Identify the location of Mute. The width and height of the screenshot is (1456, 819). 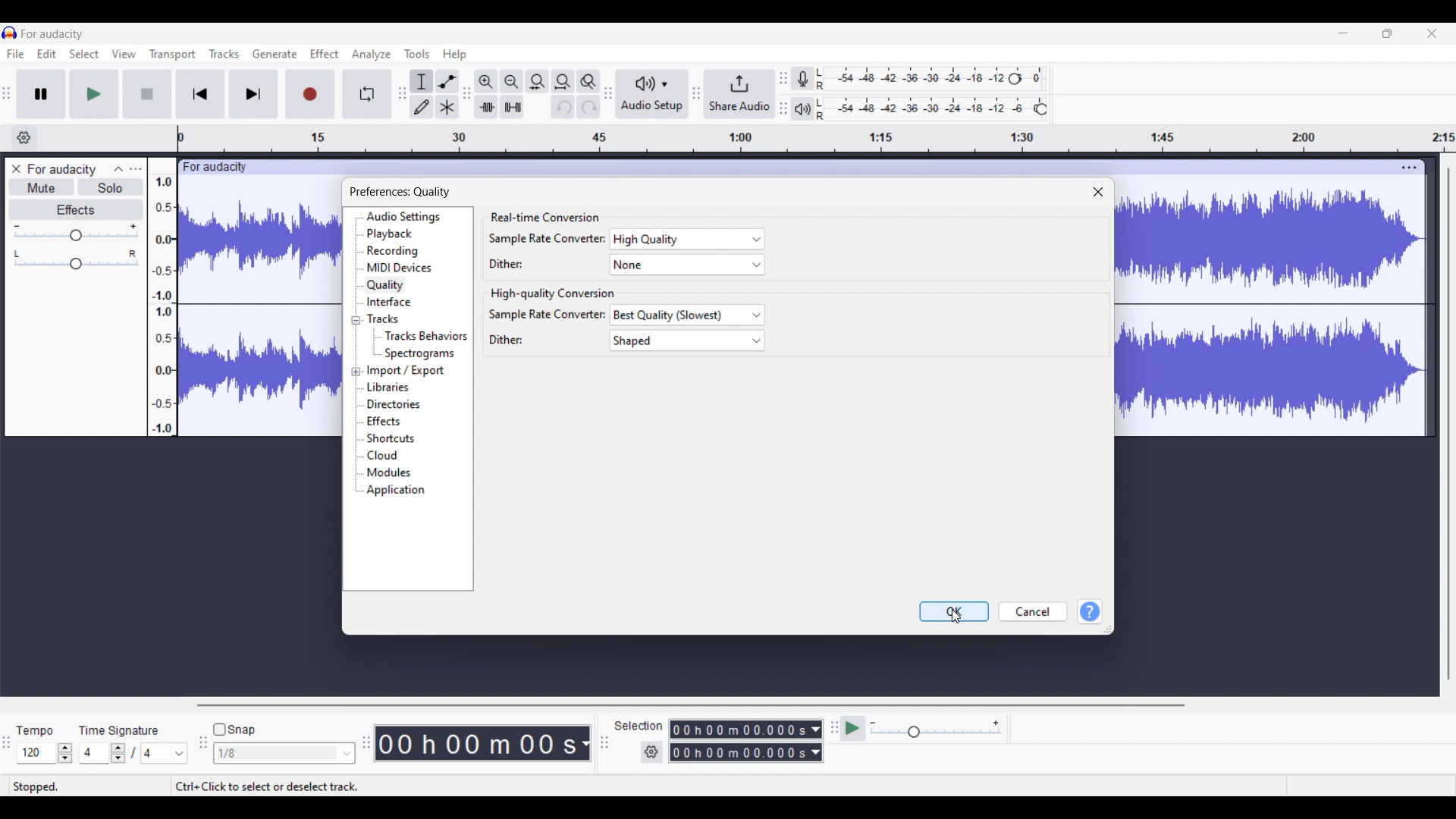
(42, 187).